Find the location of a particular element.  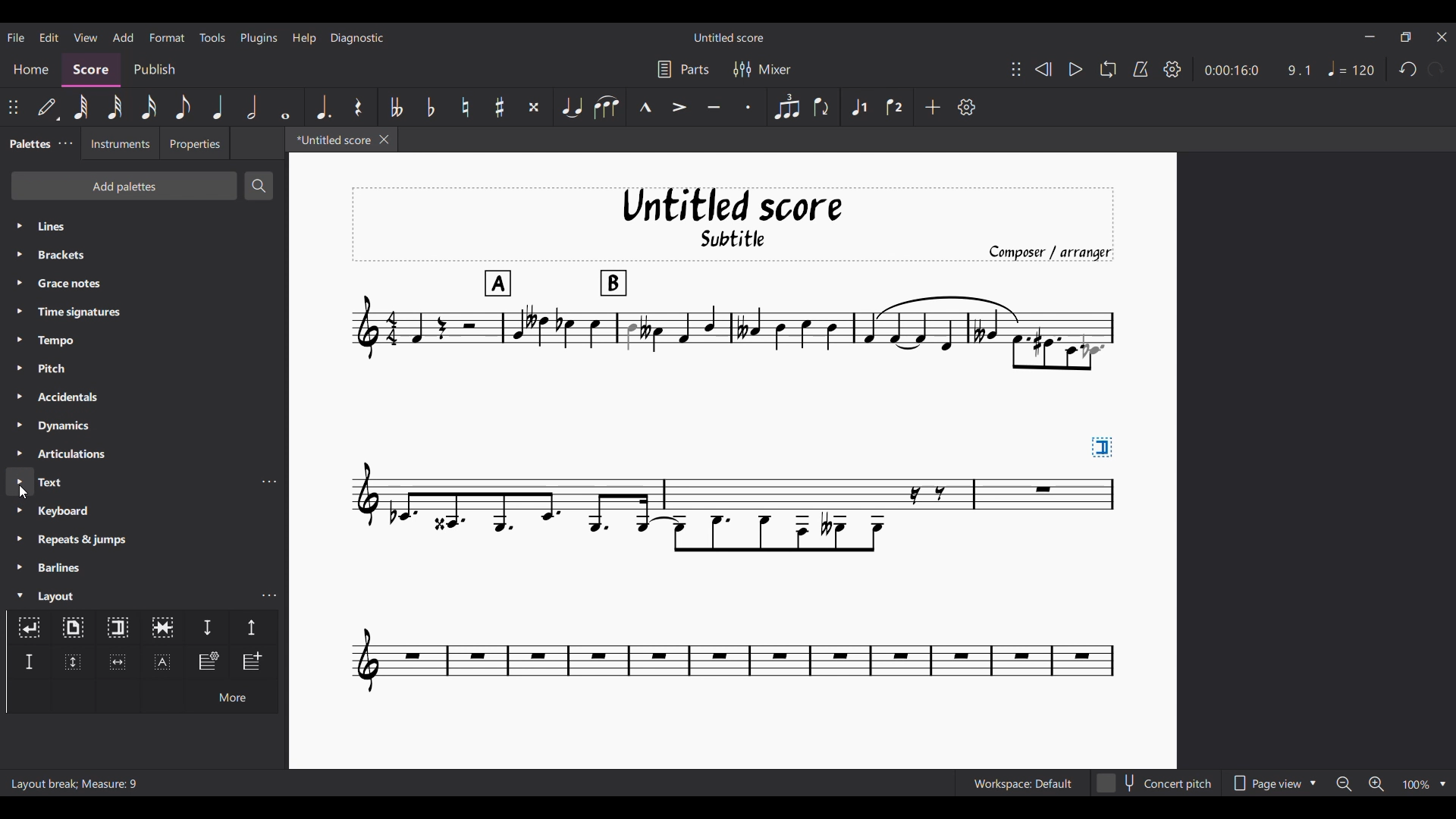

Rest is located at coordinates (359, 107).